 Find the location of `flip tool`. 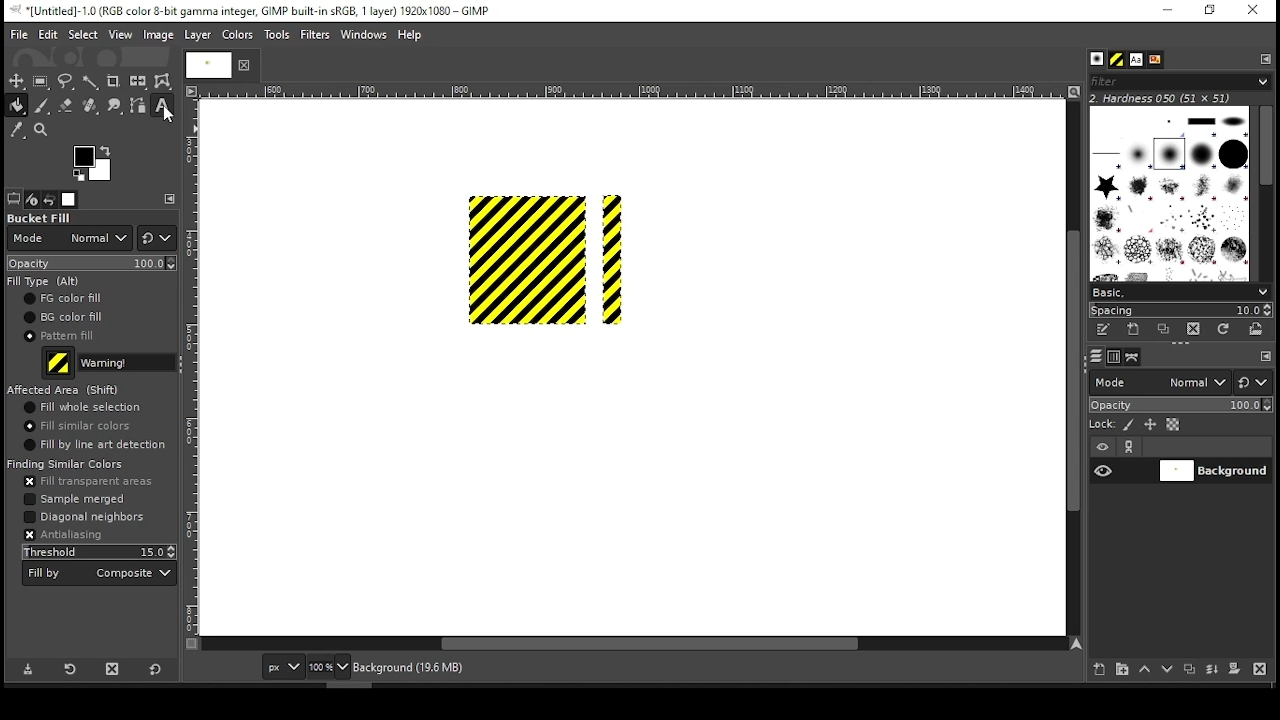

flip tool is located at coordinates (138, 80).